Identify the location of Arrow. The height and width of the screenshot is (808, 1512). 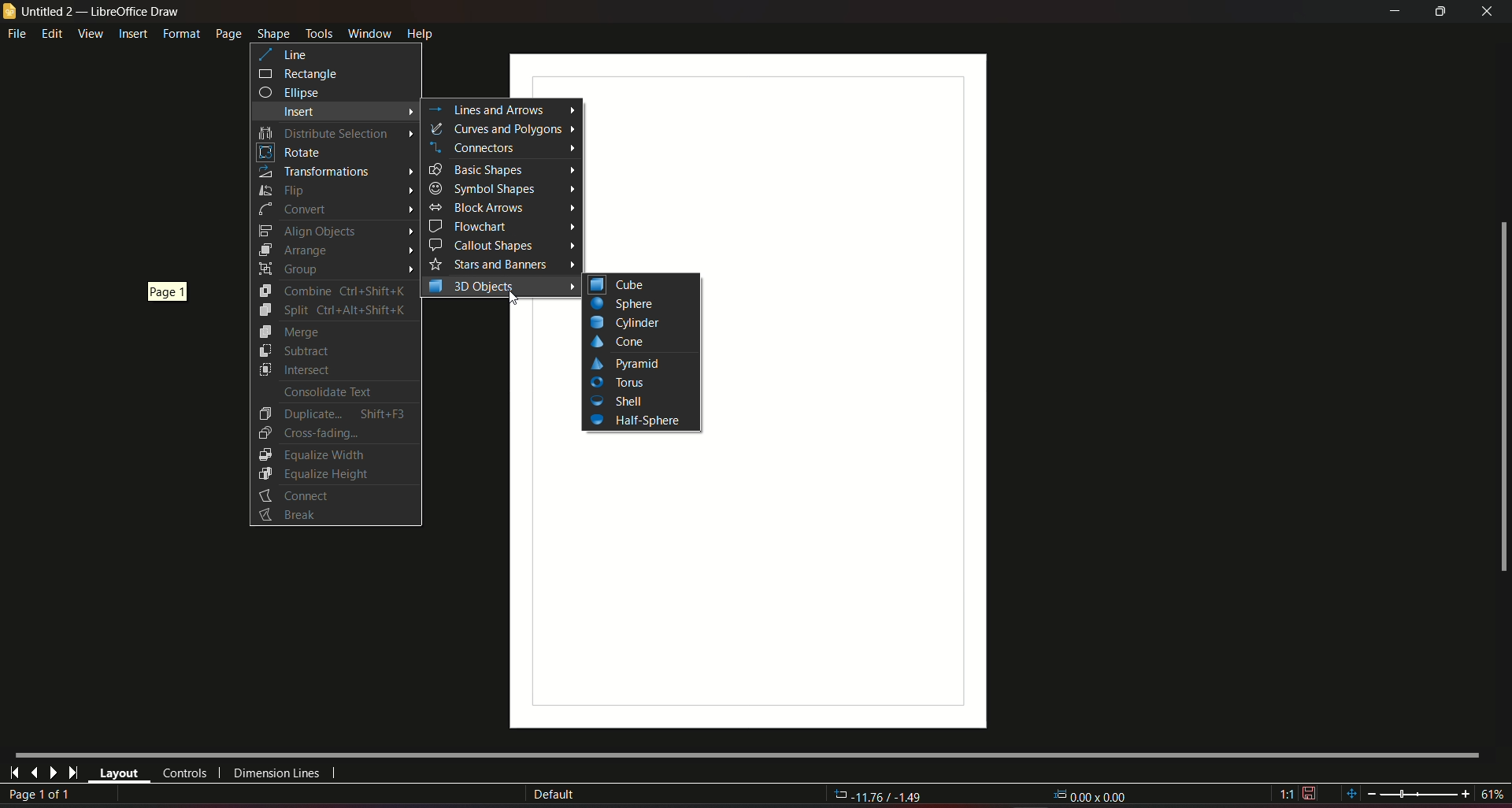
(409, 191).